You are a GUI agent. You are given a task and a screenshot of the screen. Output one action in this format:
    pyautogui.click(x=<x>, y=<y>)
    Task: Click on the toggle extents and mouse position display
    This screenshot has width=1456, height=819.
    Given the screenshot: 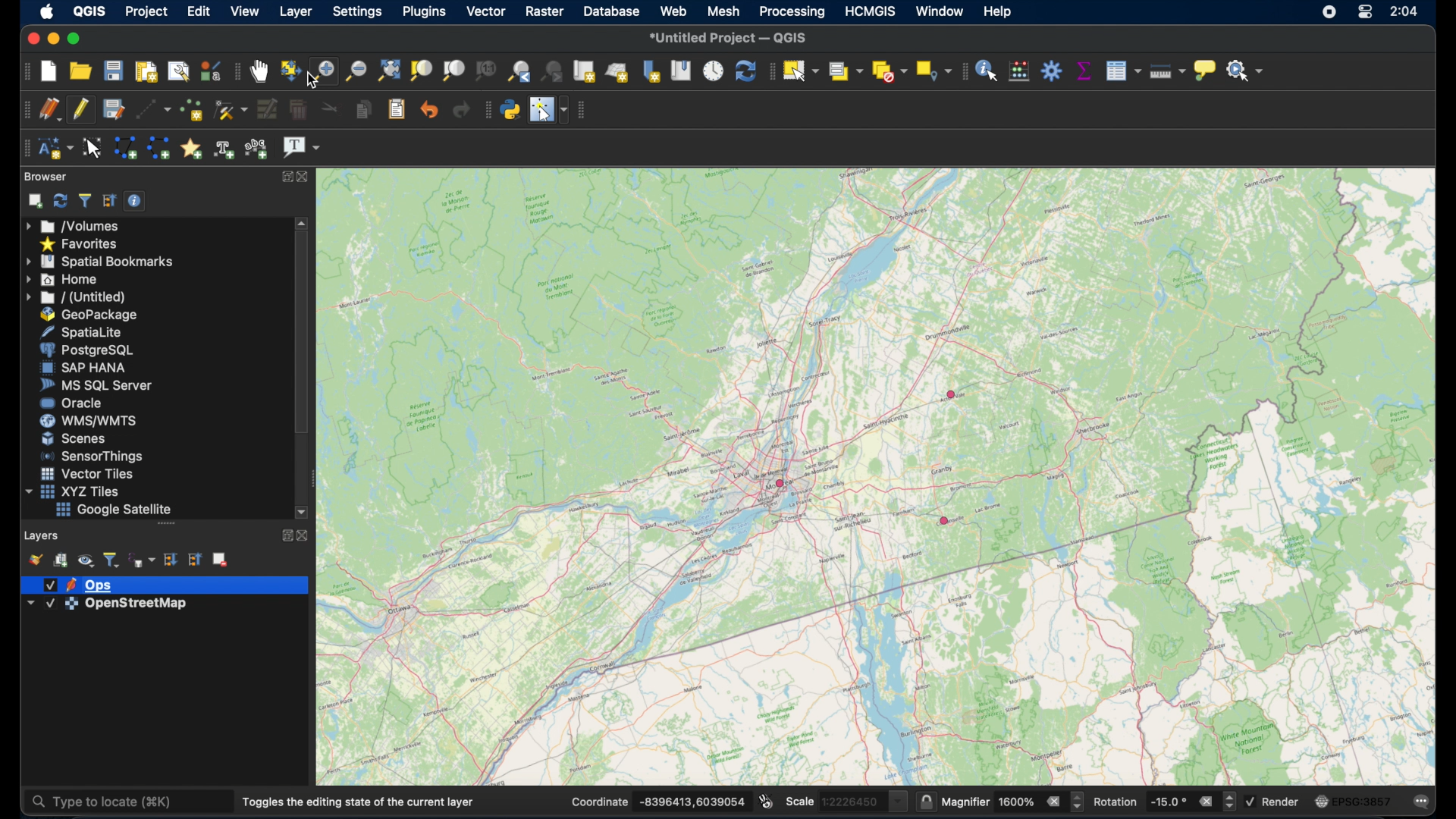 What is the action you would take?
    pyautogui.click(x=765, y=802)
    